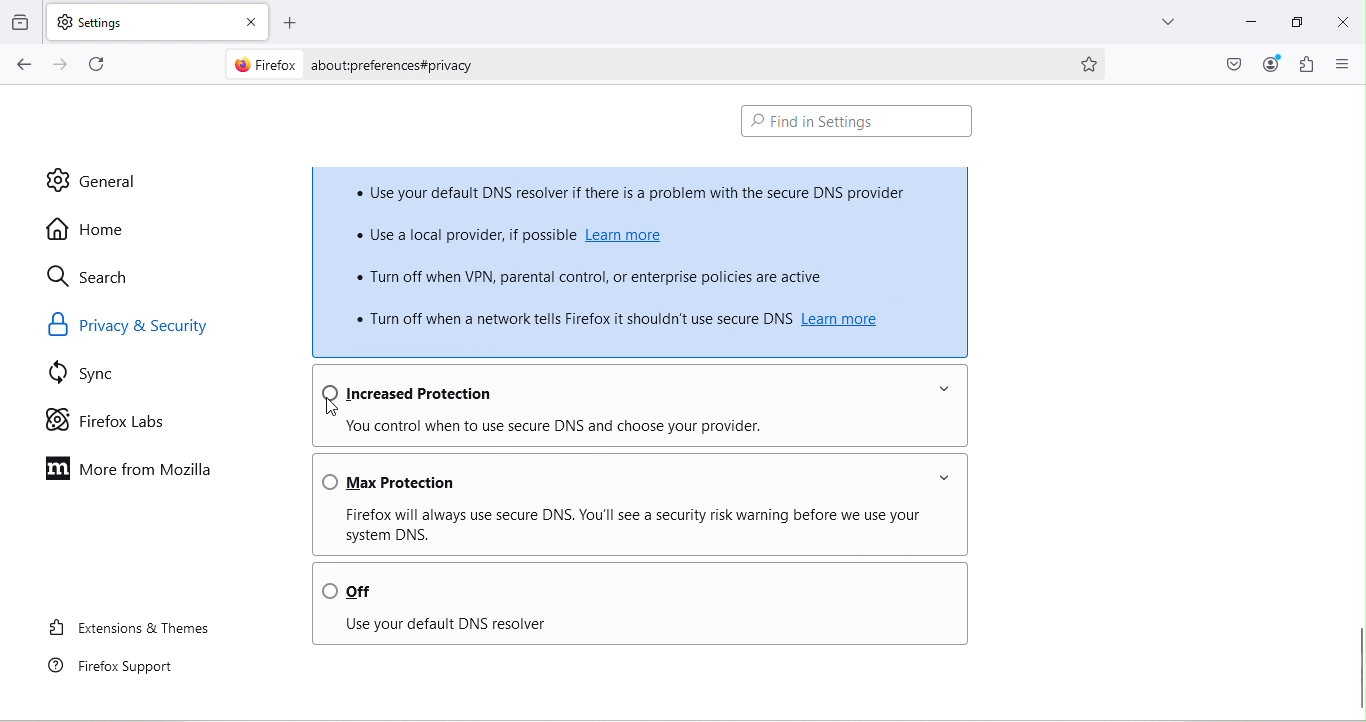 The height and width of the screenshot is (722, 1366). I want to click on Use your DNS resolver, so click(621, 629).